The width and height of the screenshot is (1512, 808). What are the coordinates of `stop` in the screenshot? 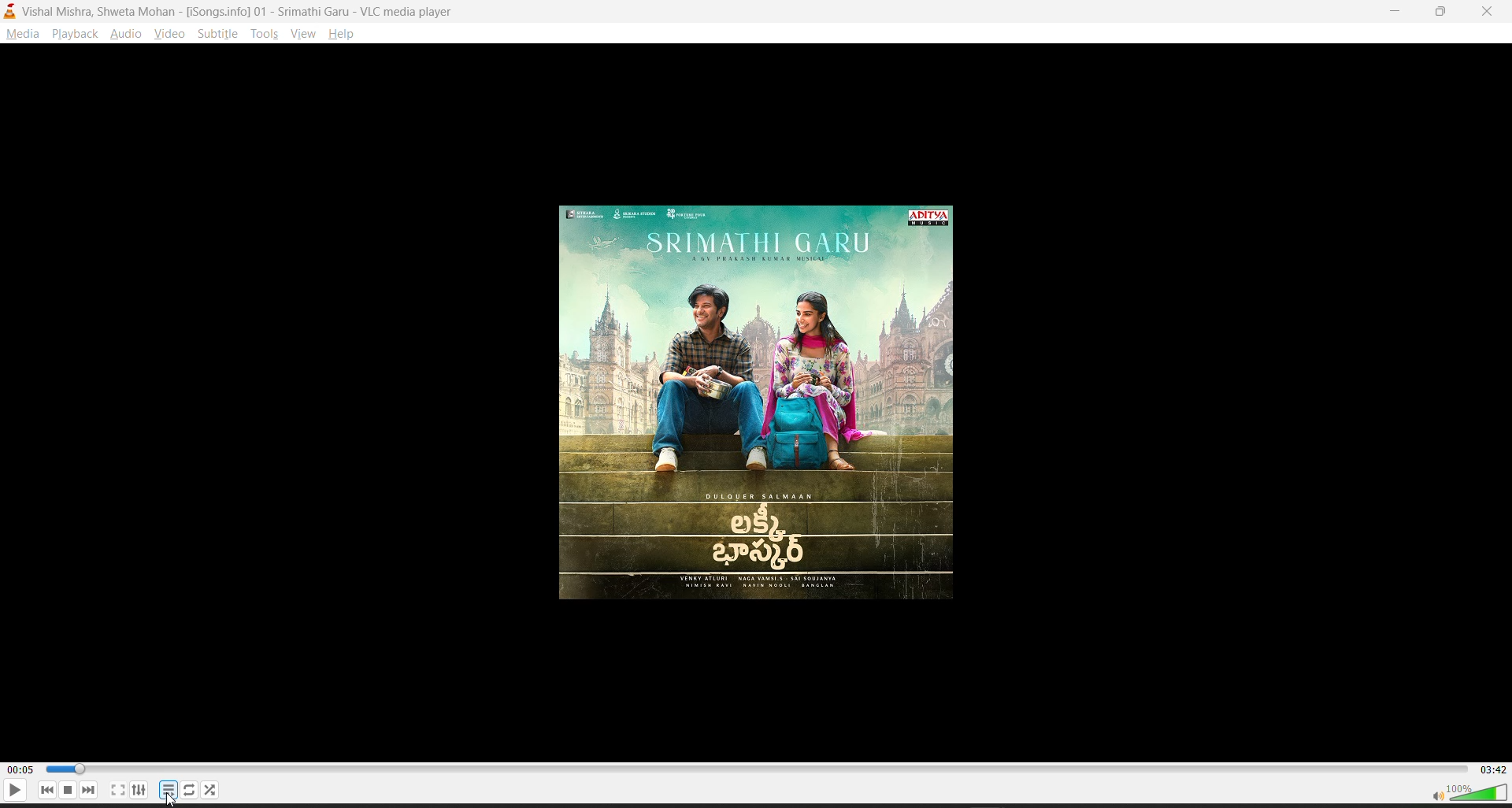 It's located at (69, 790).